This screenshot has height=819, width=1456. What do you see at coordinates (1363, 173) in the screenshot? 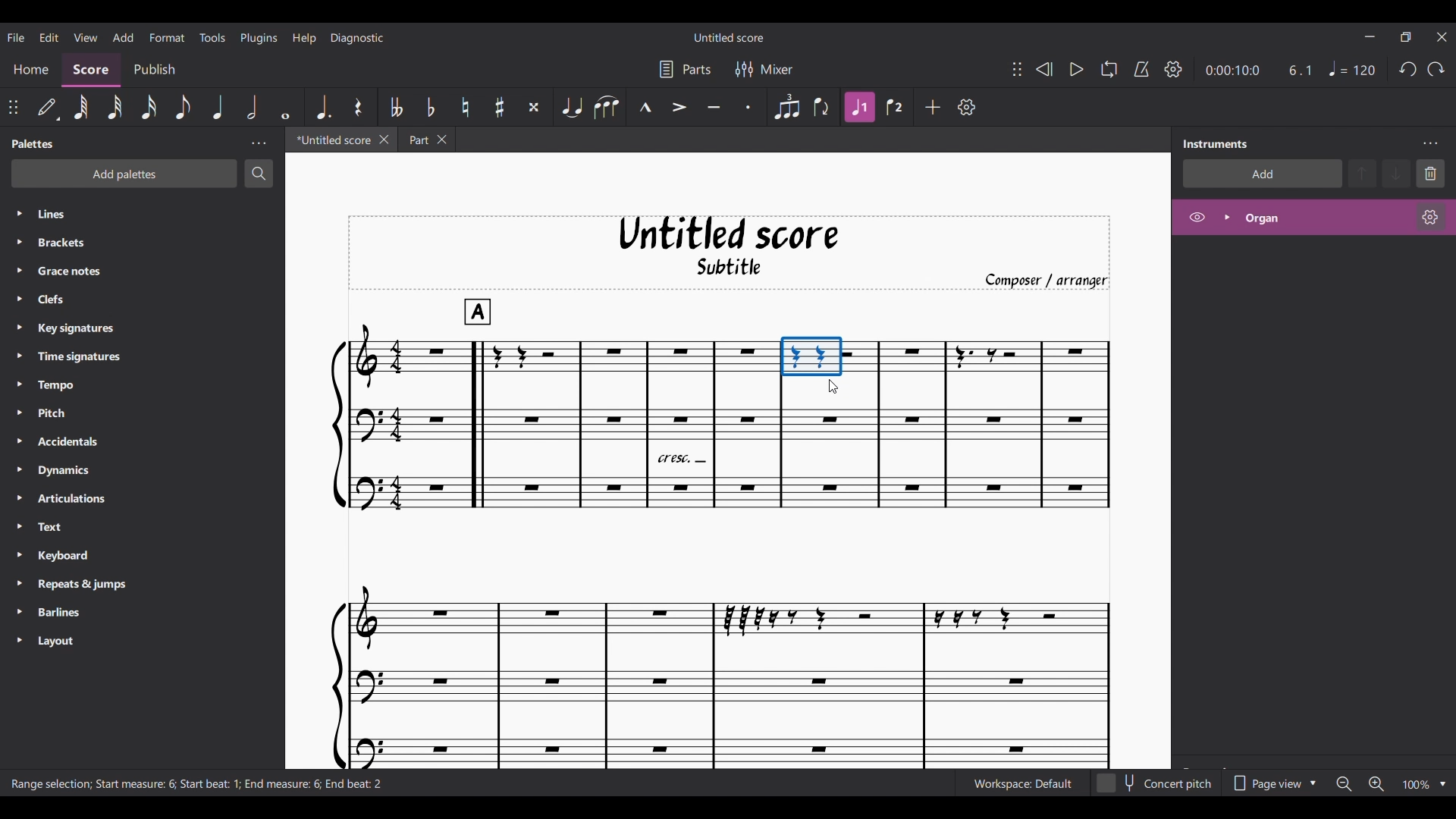
I see `Move selection up` at bounding box center [1363, 173].